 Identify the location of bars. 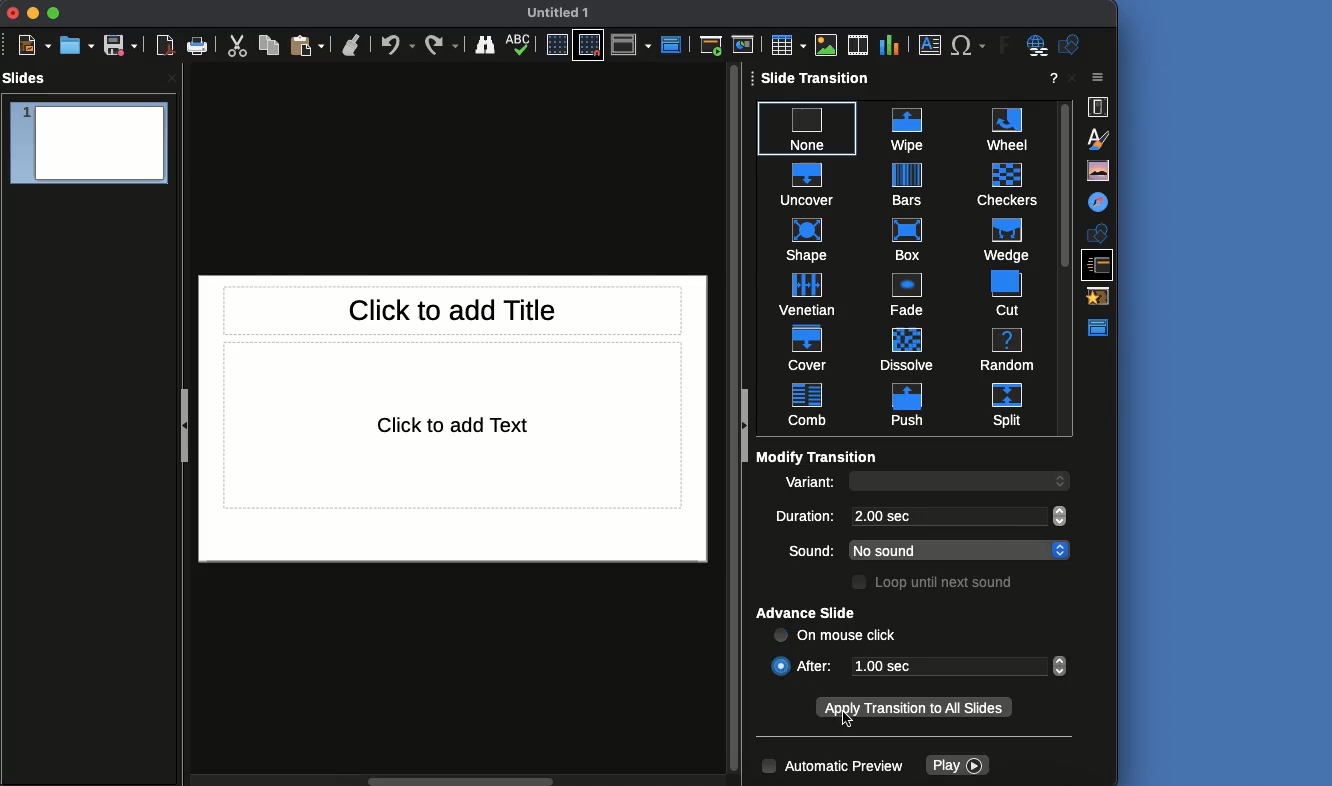
(906, 184).